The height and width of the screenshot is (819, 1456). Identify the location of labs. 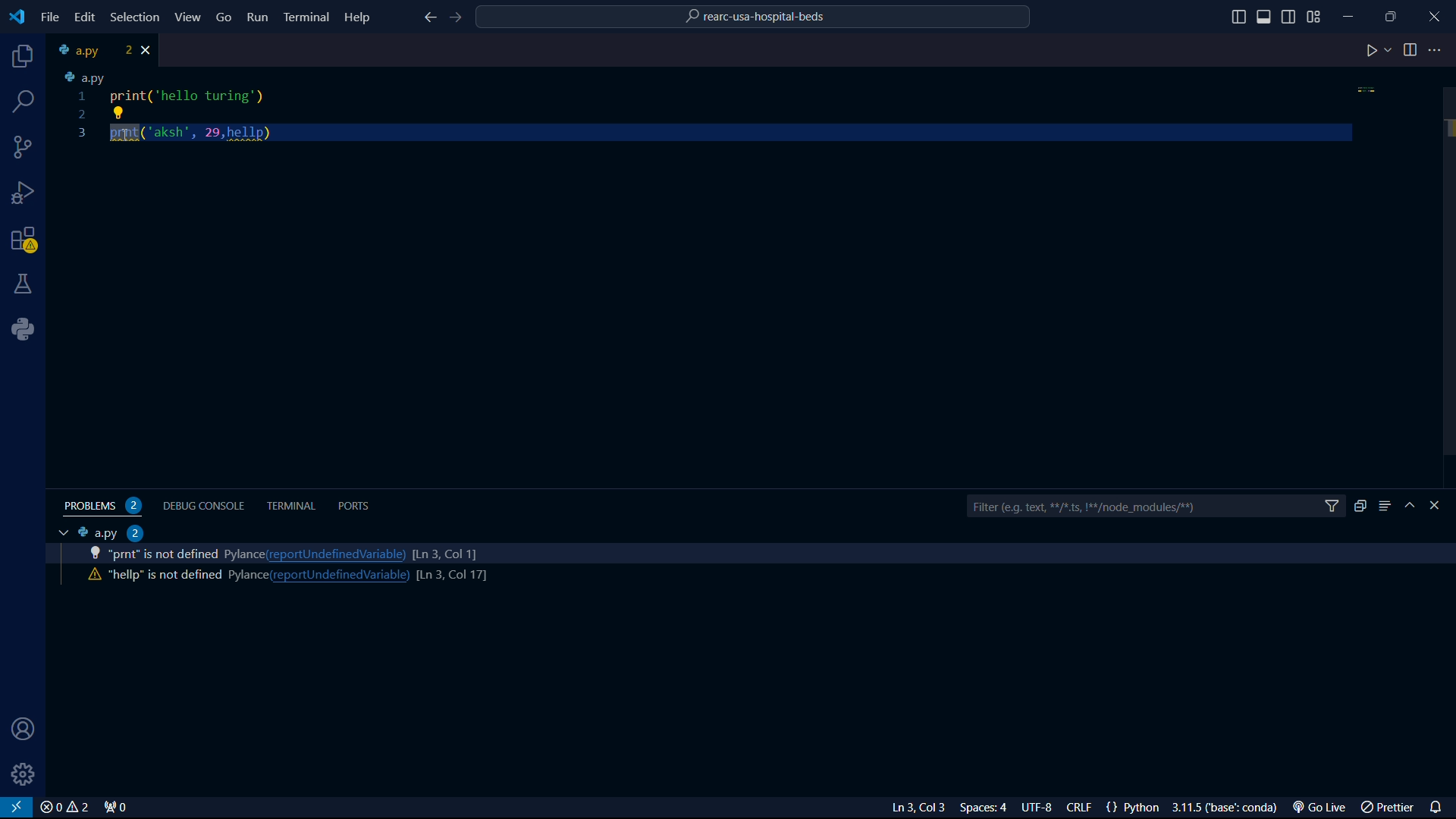
(24, 283).